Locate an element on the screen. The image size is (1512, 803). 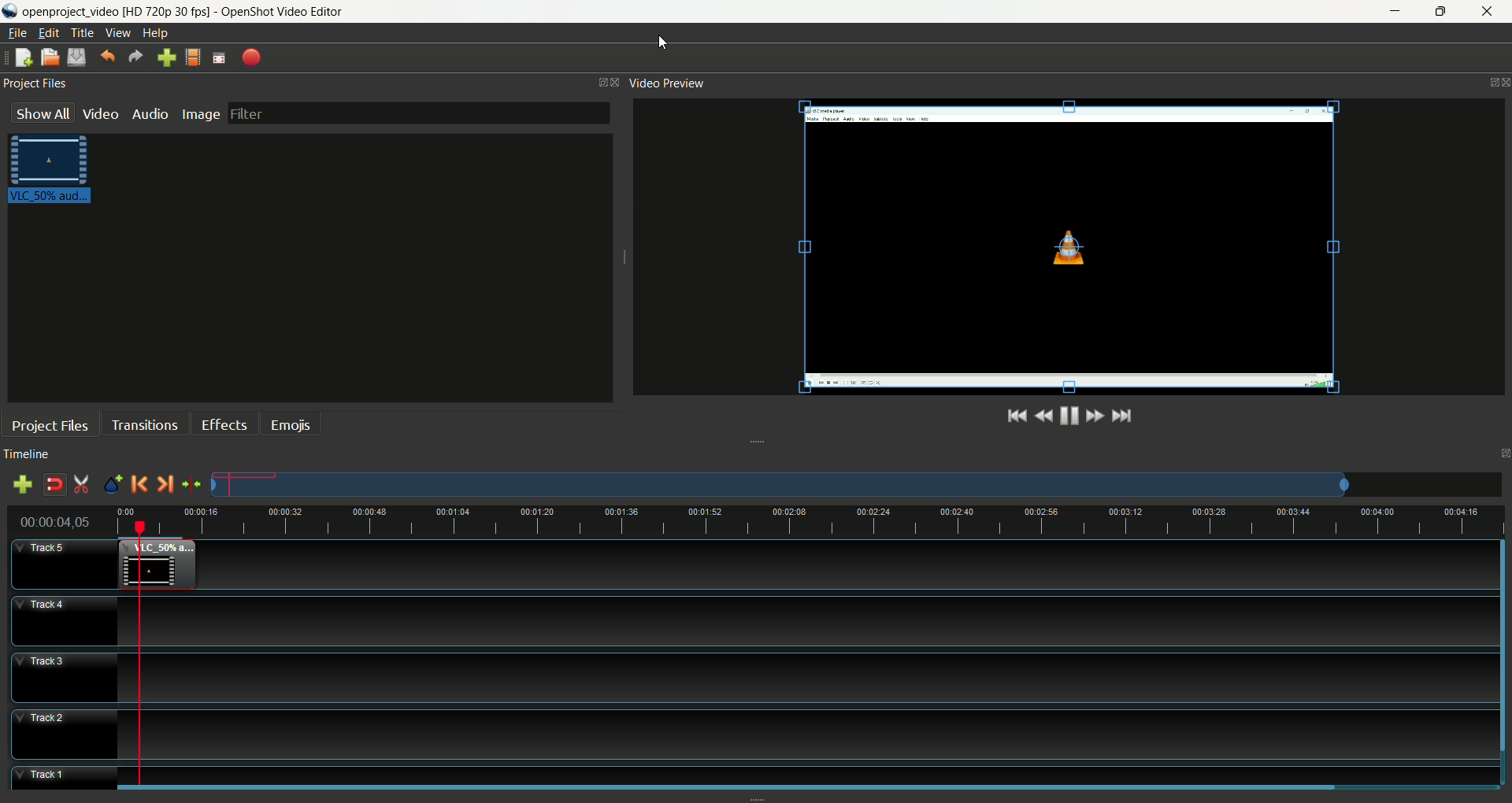
project files is located at coordinates (51, 426).